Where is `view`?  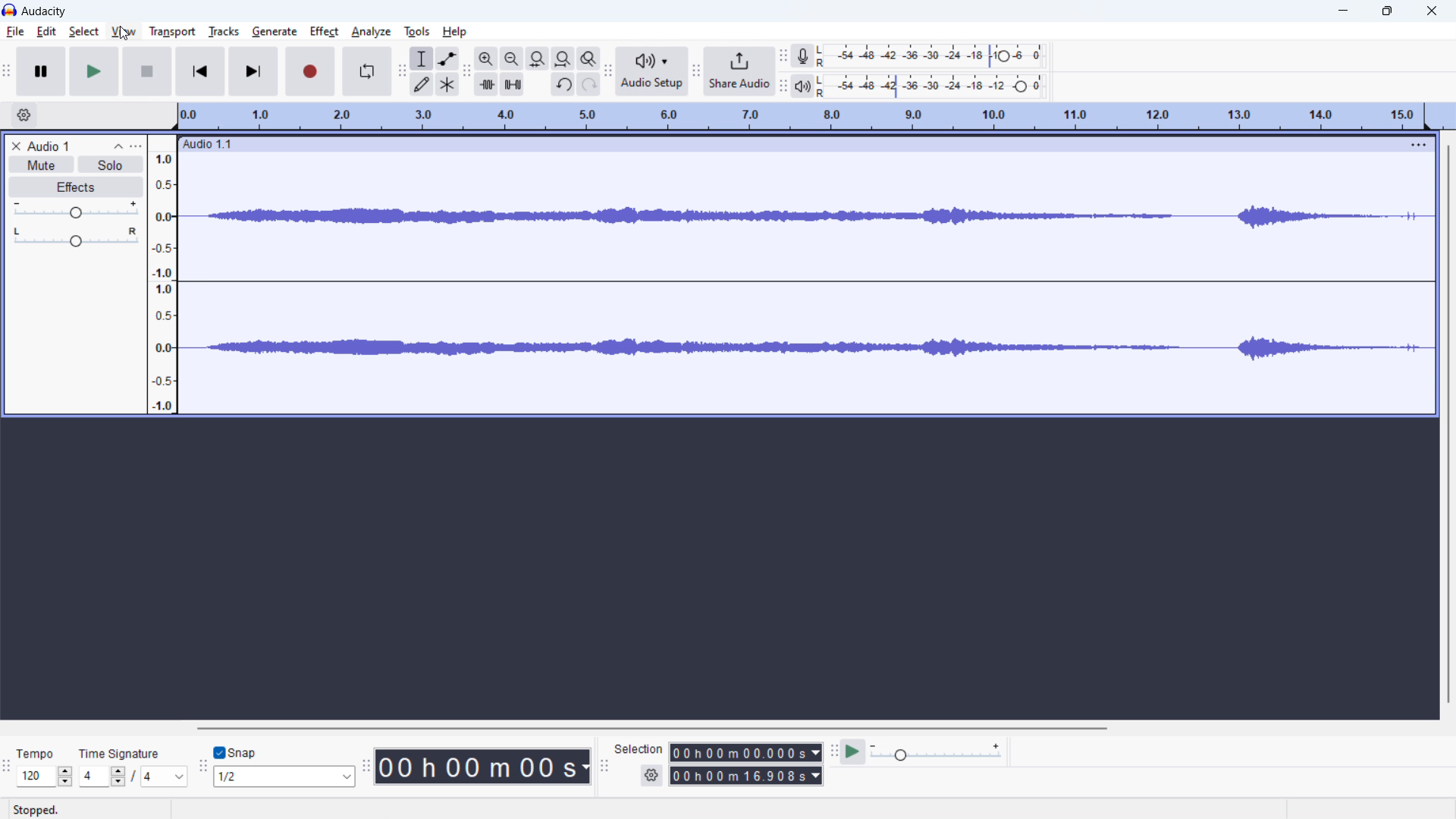 view is located at coordinates (124, 31).